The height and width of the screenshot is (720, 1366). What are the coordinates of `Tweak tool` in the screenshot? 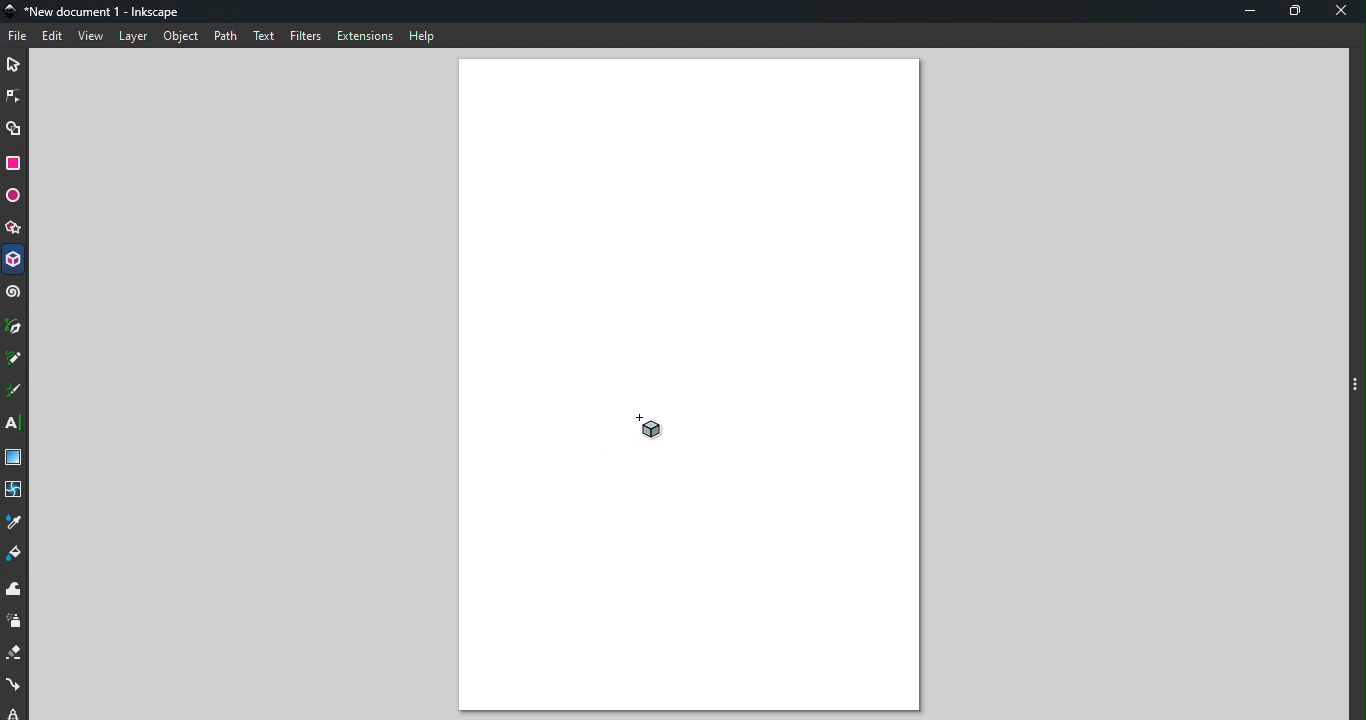 It's located at (17, 591).